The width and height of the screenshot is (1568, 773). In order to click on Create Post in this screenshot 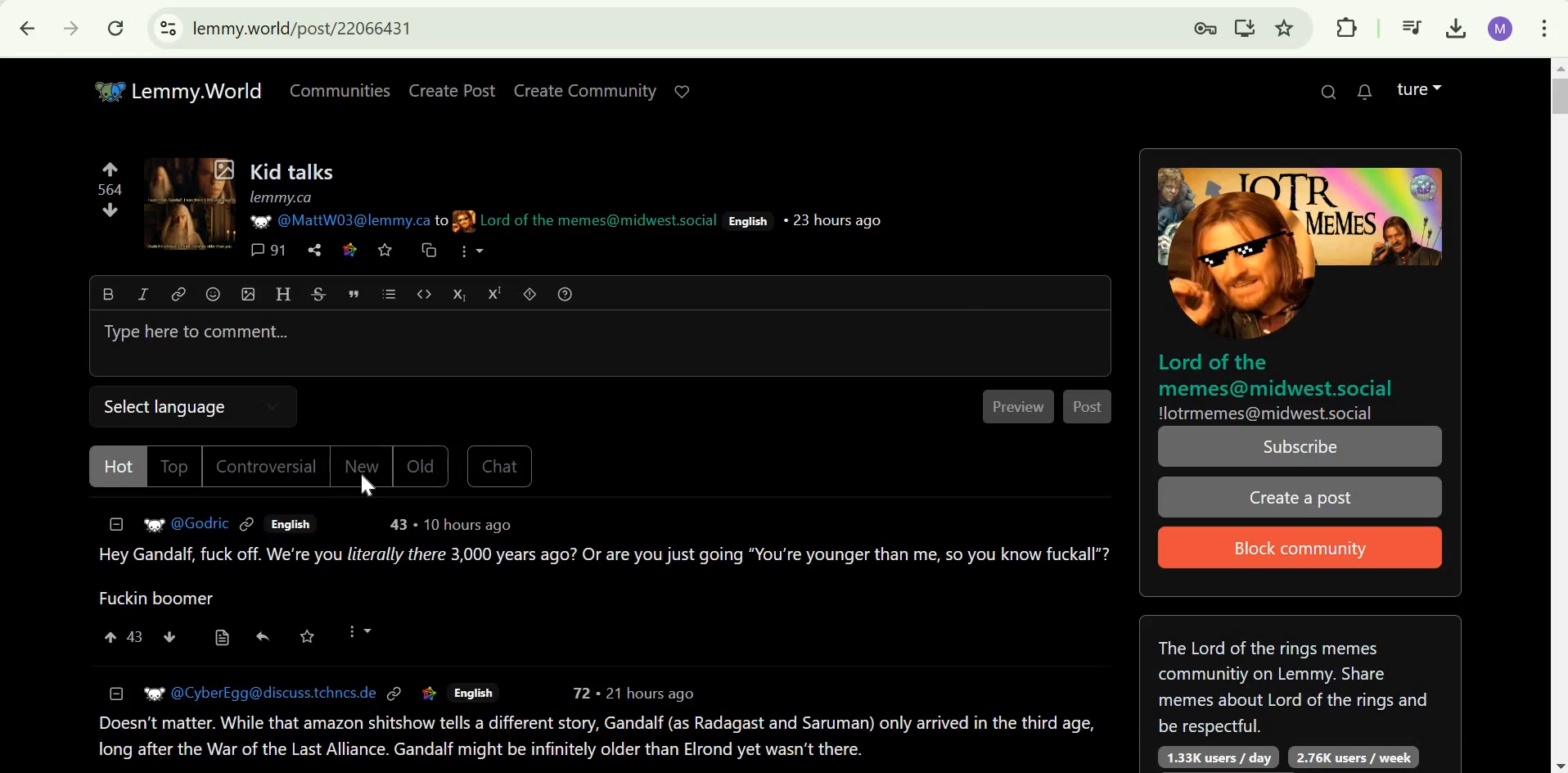, I will do `click(453, 90)`.